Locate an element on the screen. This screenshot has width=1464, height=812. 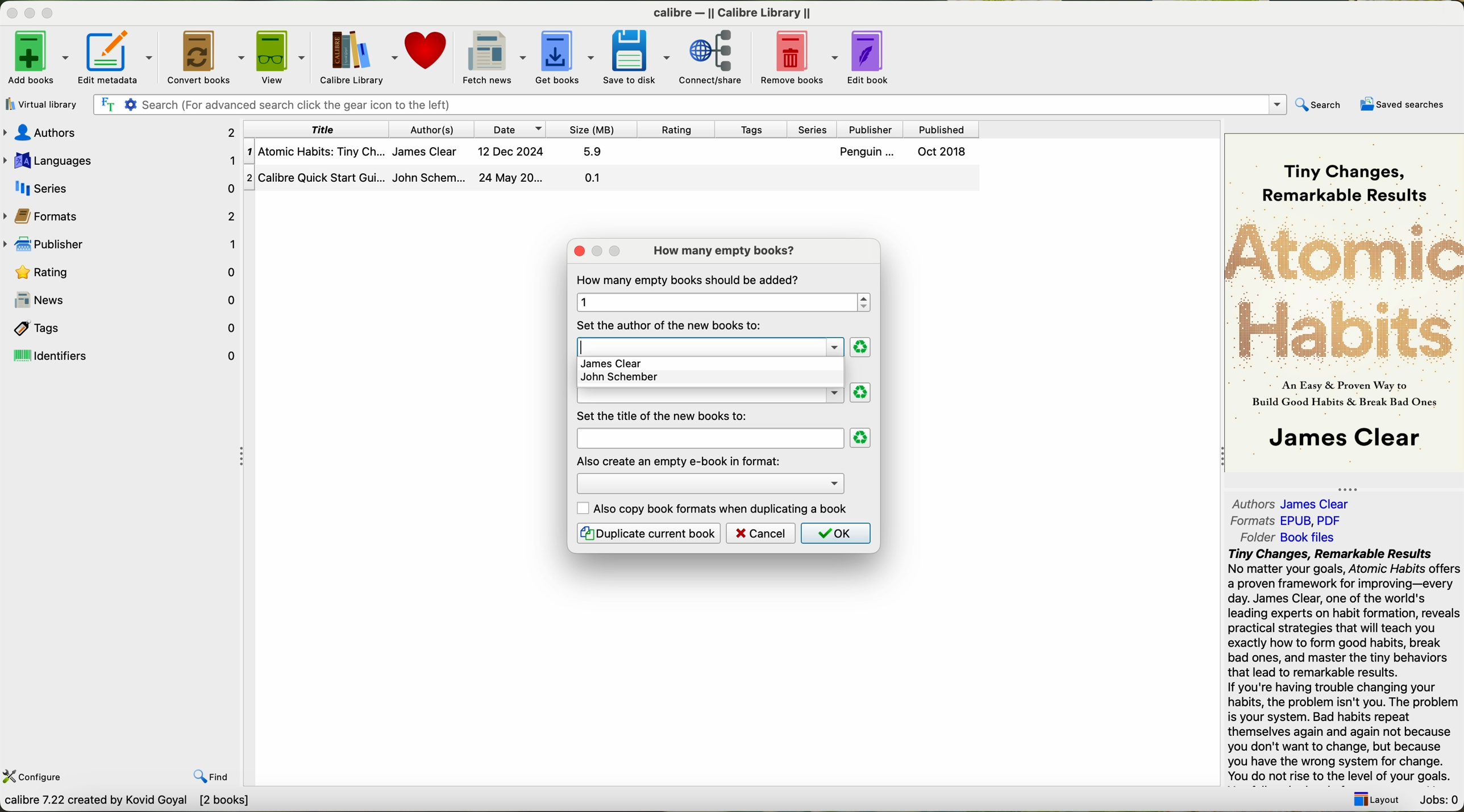
click is located at coordinates (711, 343).